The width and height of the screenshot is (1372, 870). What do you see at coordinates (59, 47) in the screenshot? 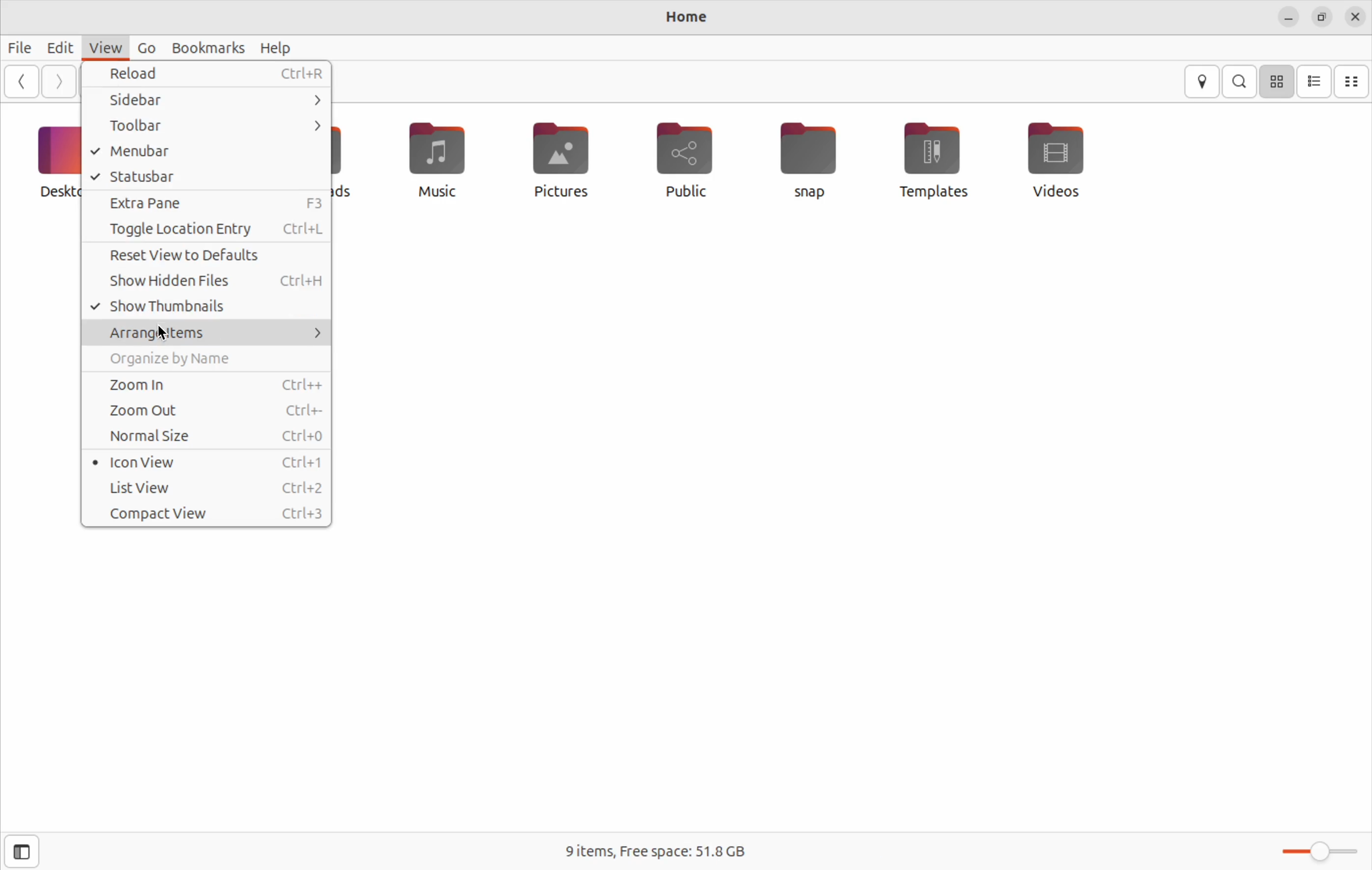
I see `Edit` at bounding box center [59, 47].